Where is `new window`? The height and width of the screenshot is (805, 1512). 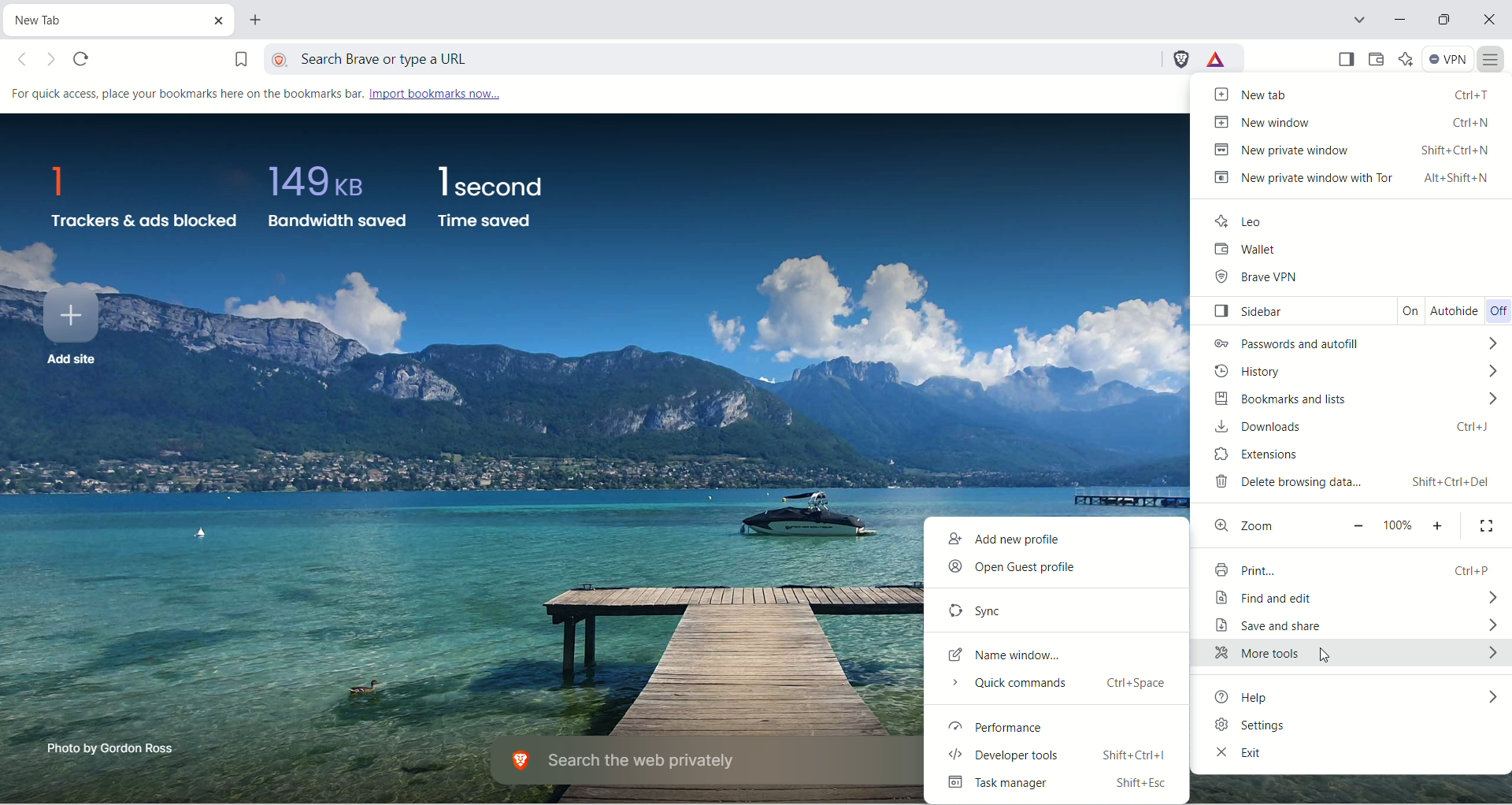 new window is located at coordinates (1353, 121).